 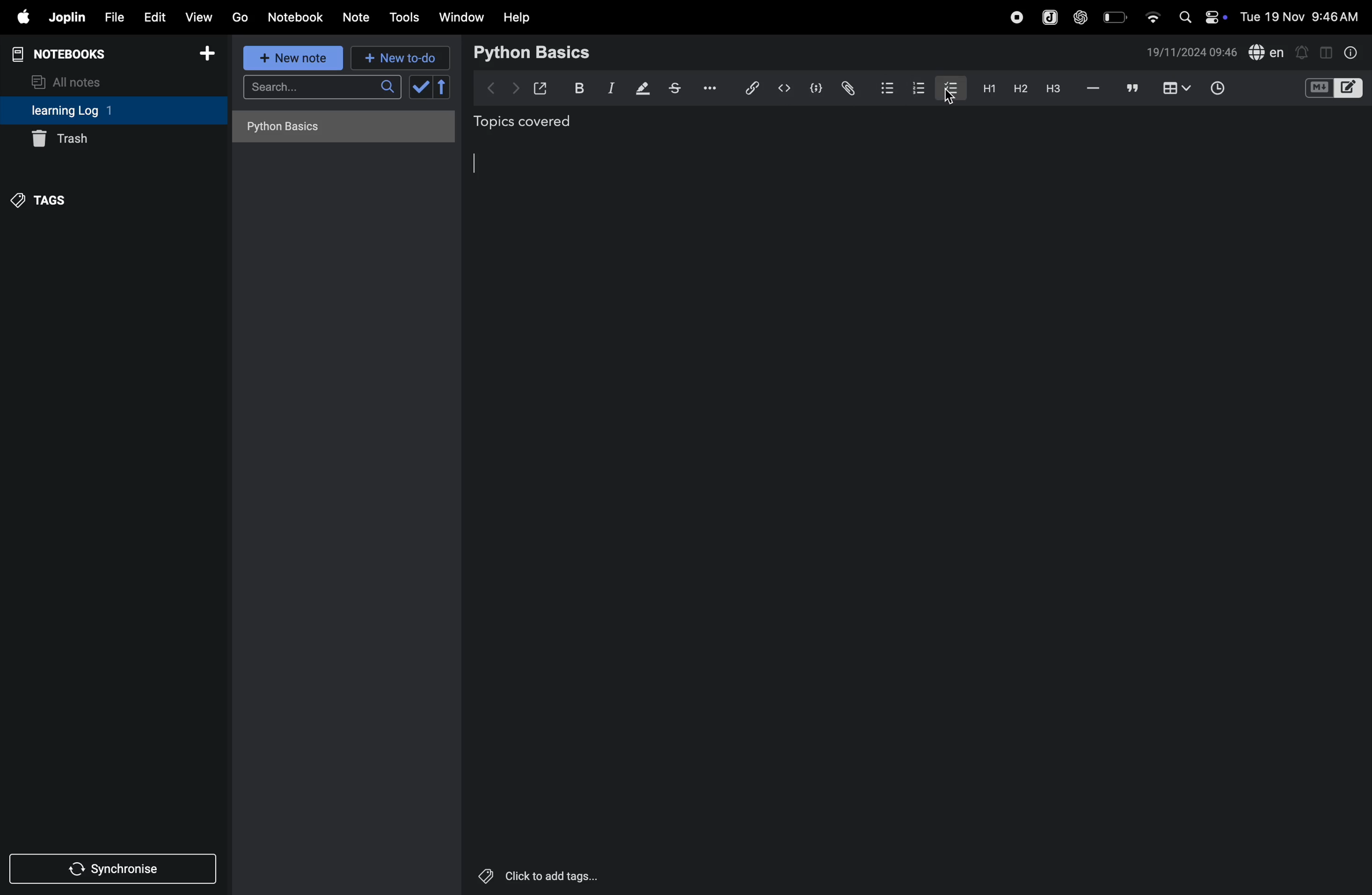 What do you see at coordinates (115, 870) in the screenshot?
I see `synchronise` at bounding box center [115, 870].